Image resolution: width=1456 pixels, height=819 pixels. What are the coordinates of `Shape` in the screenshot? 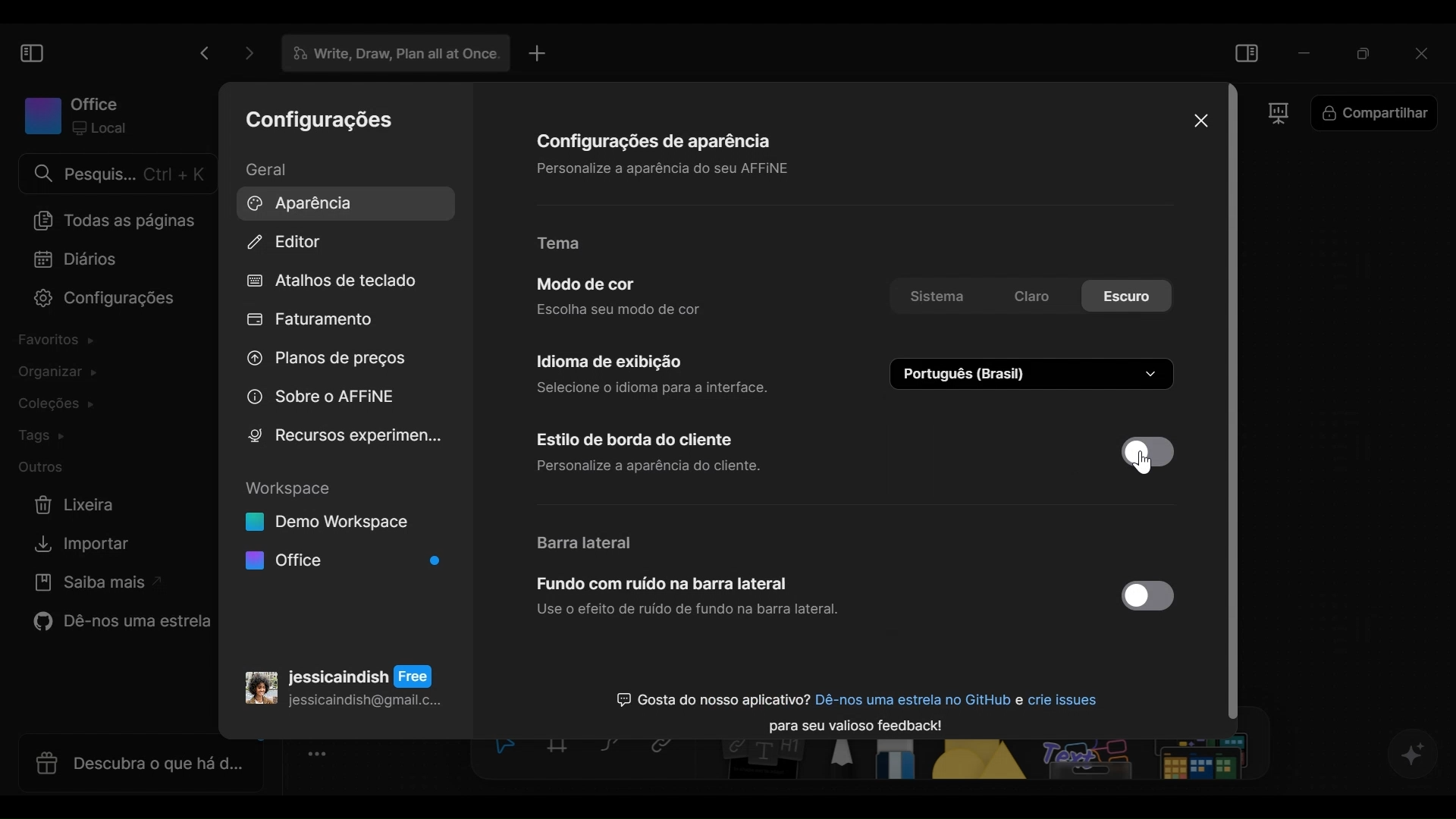 It's located at (981, 761).